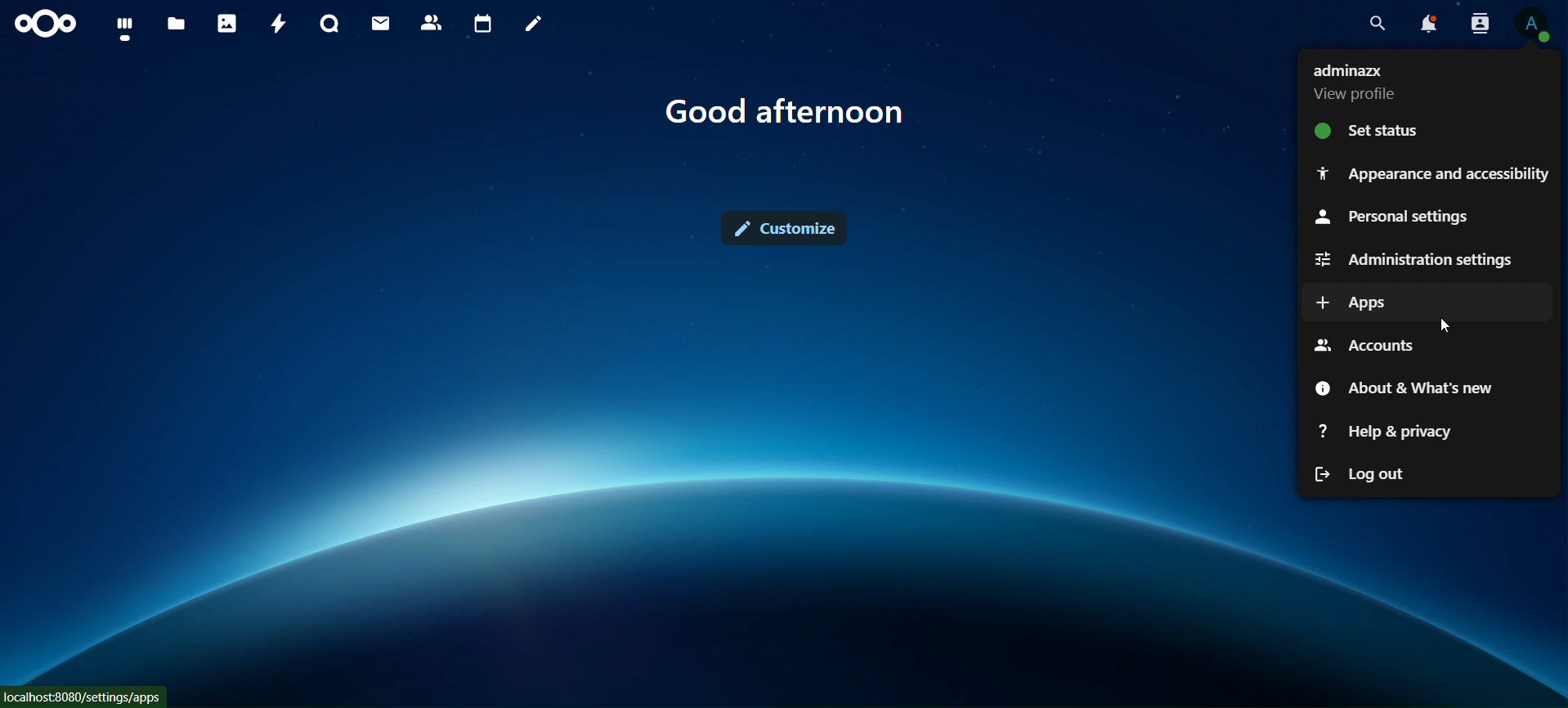 This screenshot has width=1568, height=708. Describe the element at coordinates (1448, 325) in the screenshot. I see `cursor` at that location.